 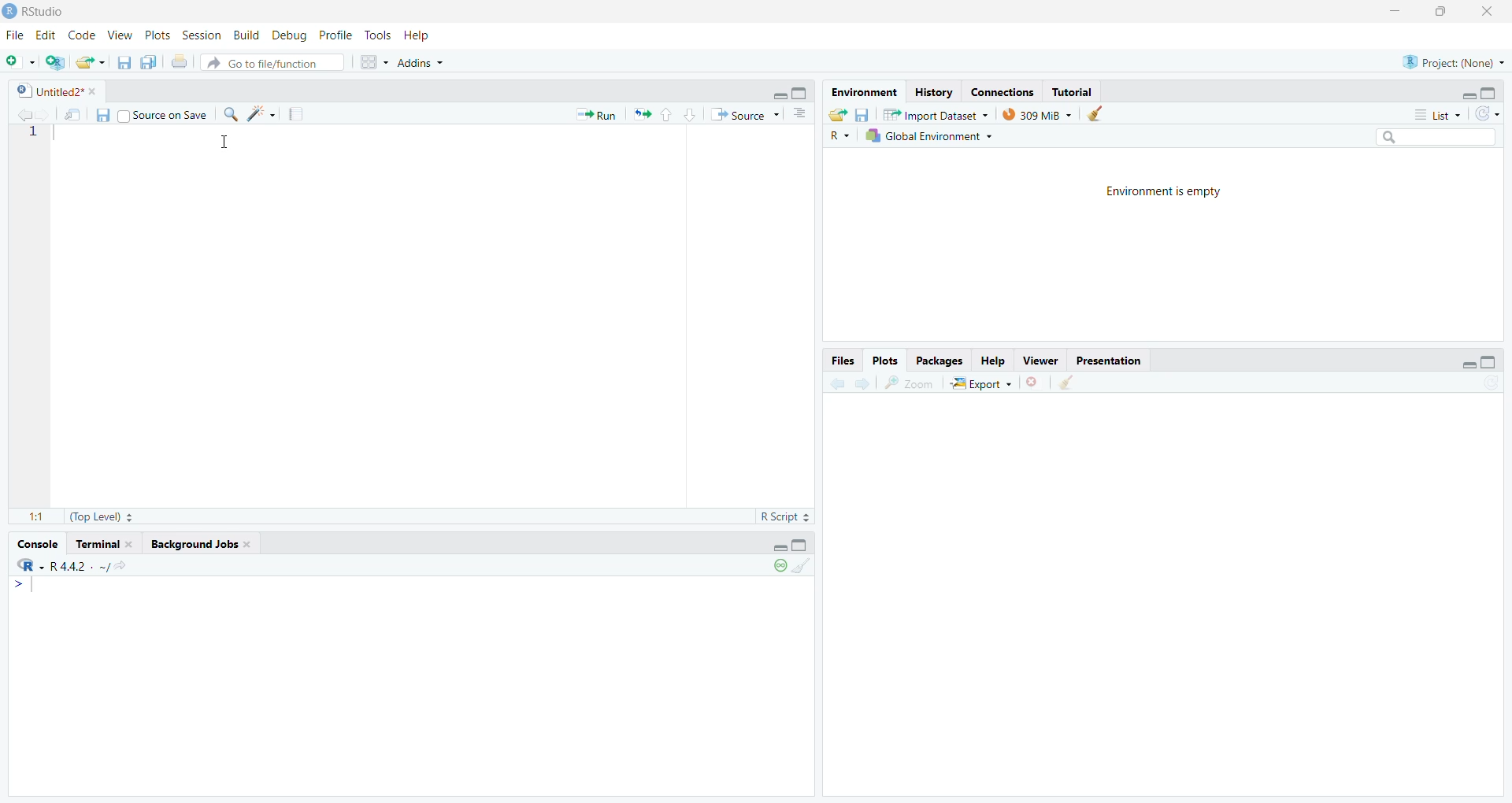 What do you see at coordinates (180, 61) in the screenshot?
I see `print` at bounding box center [180, 61].